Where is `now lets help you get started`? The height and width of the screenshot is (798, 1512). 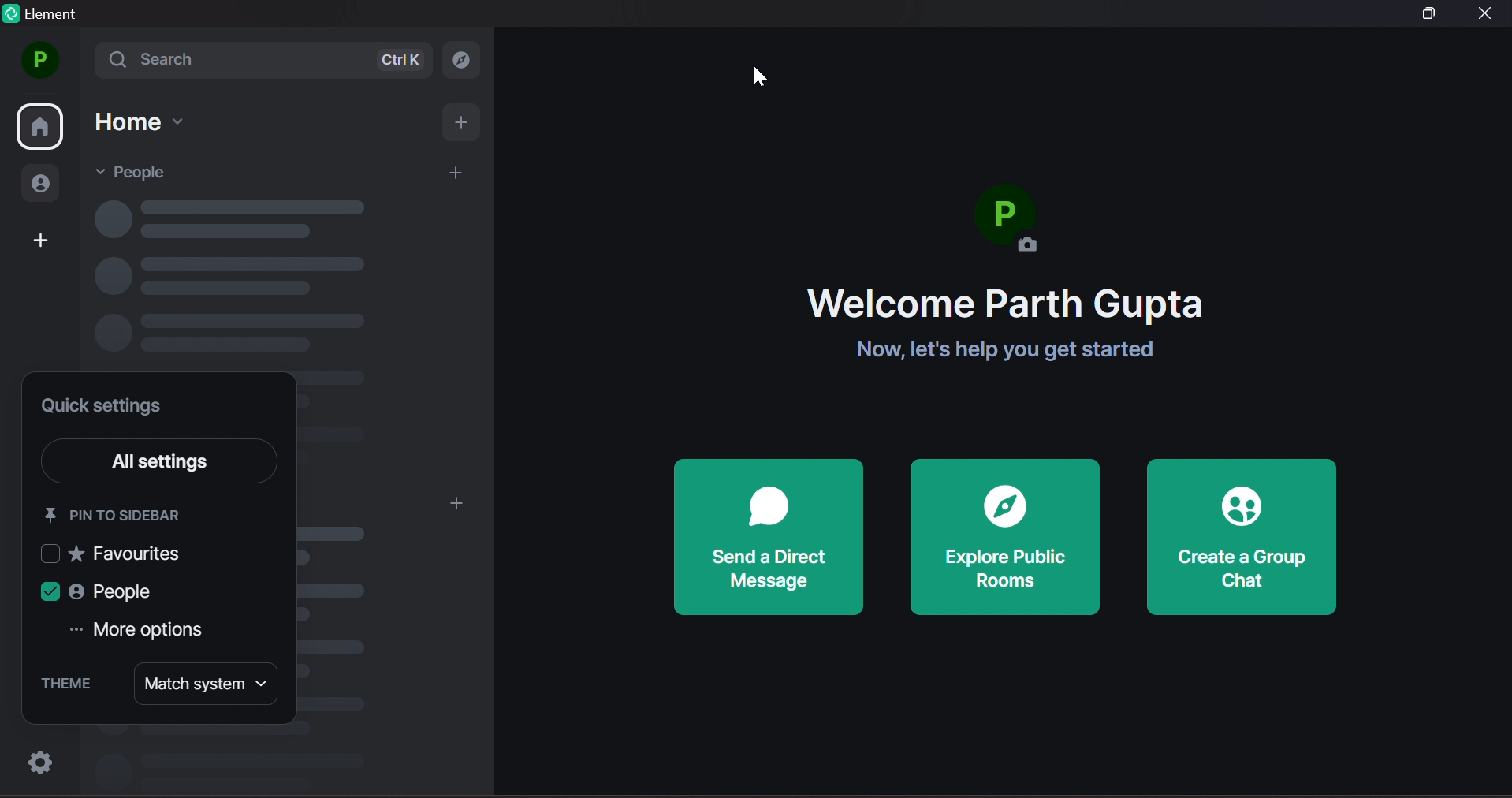 now lets help you get started is located at coordinates (994, 351).